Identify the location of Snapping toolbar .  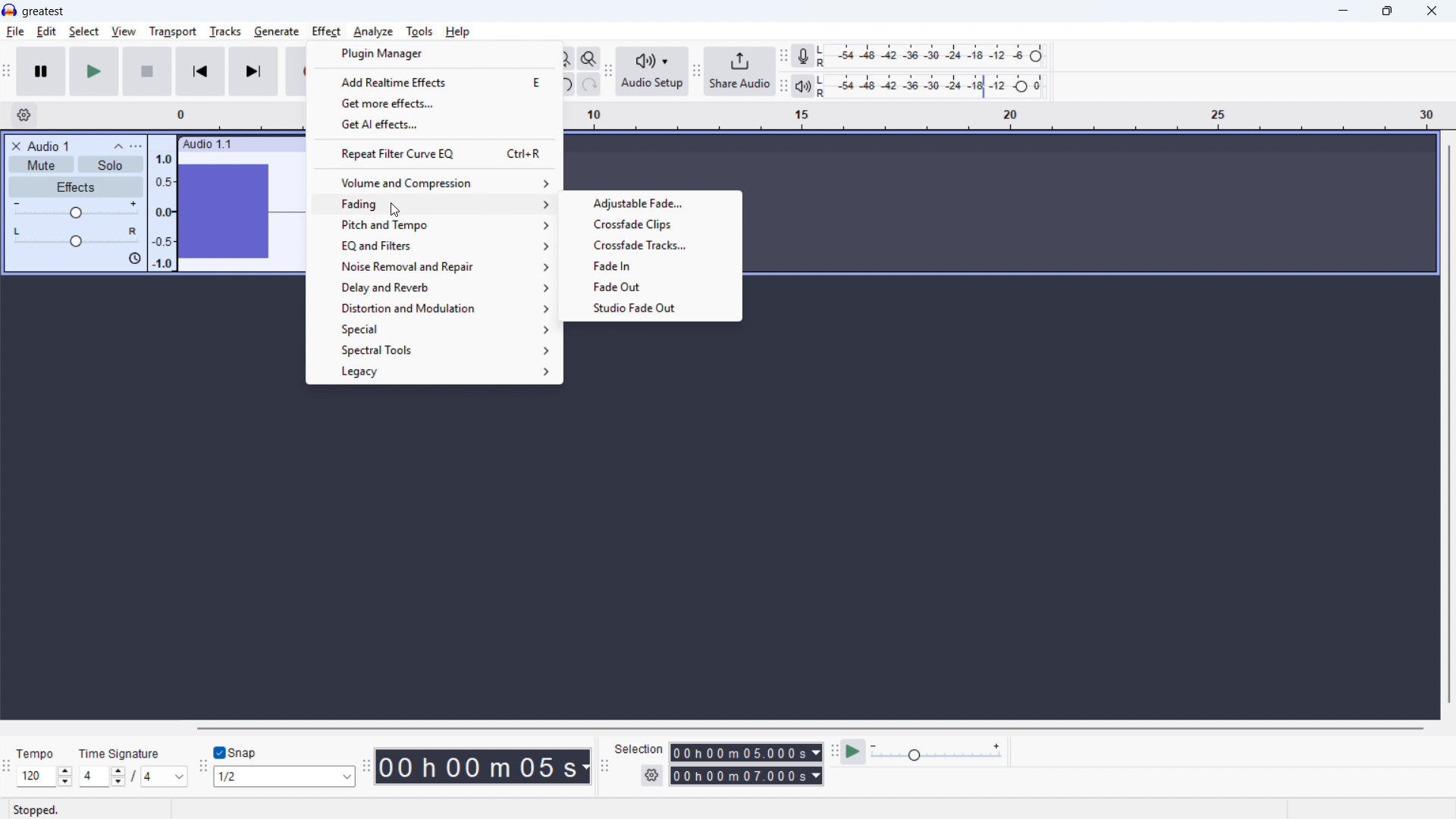
(204, 769).